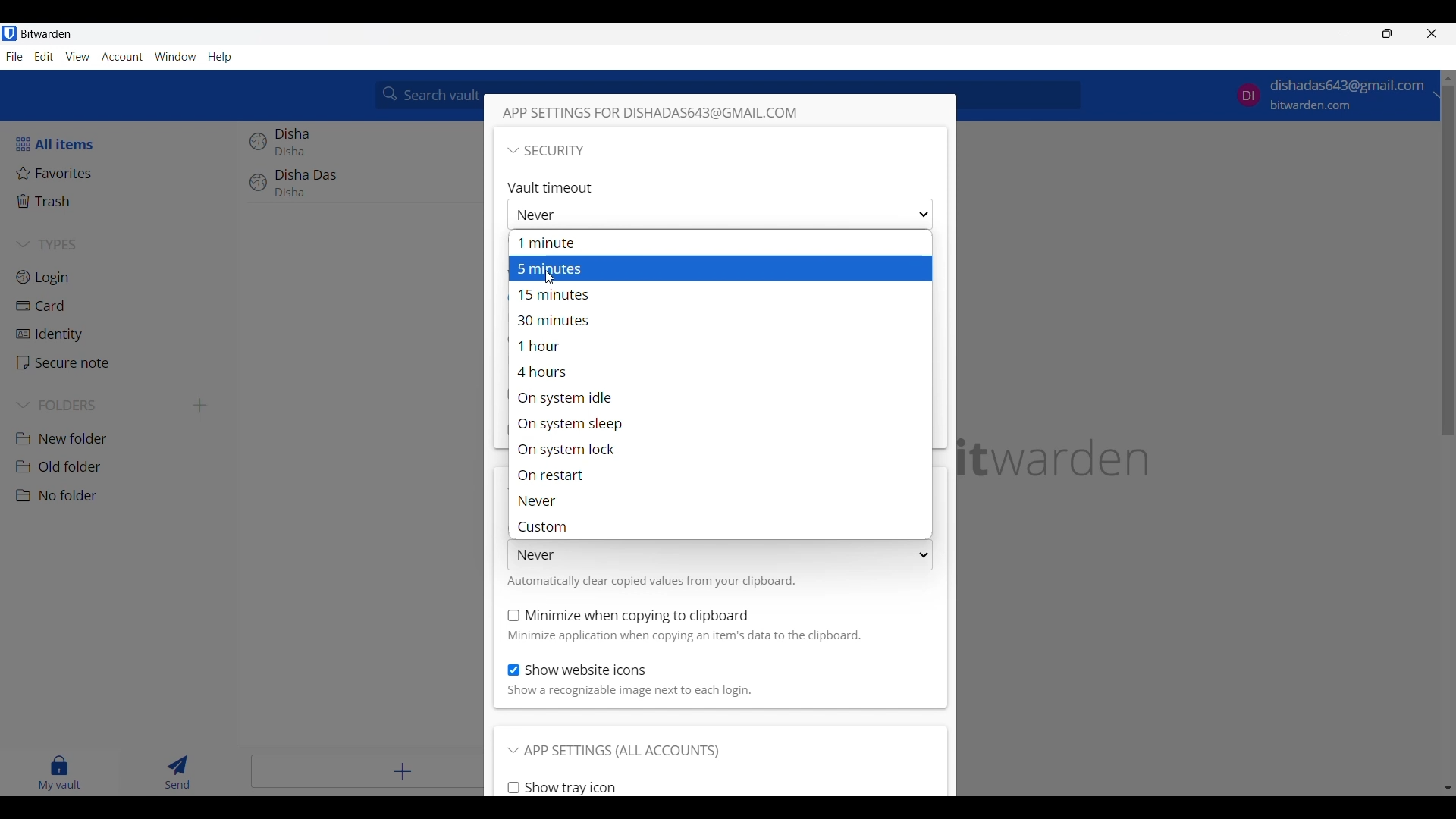 Image resolution: width=1456 pixels, height=819 pixels. I want to click on Card, so click(122, 306).